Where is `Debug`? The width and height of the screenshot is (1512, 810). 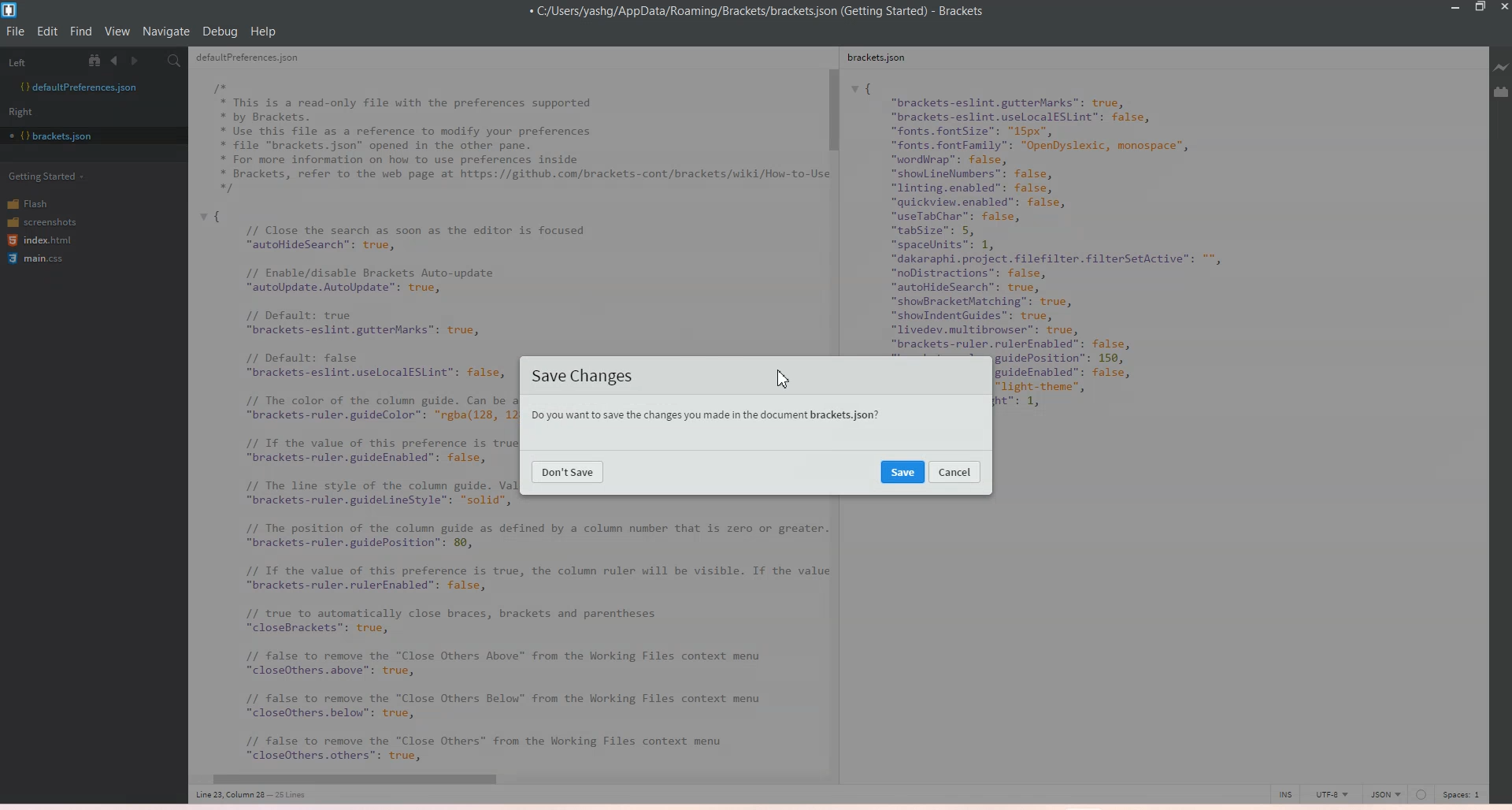 Debug is located at coordinates (220, 32).